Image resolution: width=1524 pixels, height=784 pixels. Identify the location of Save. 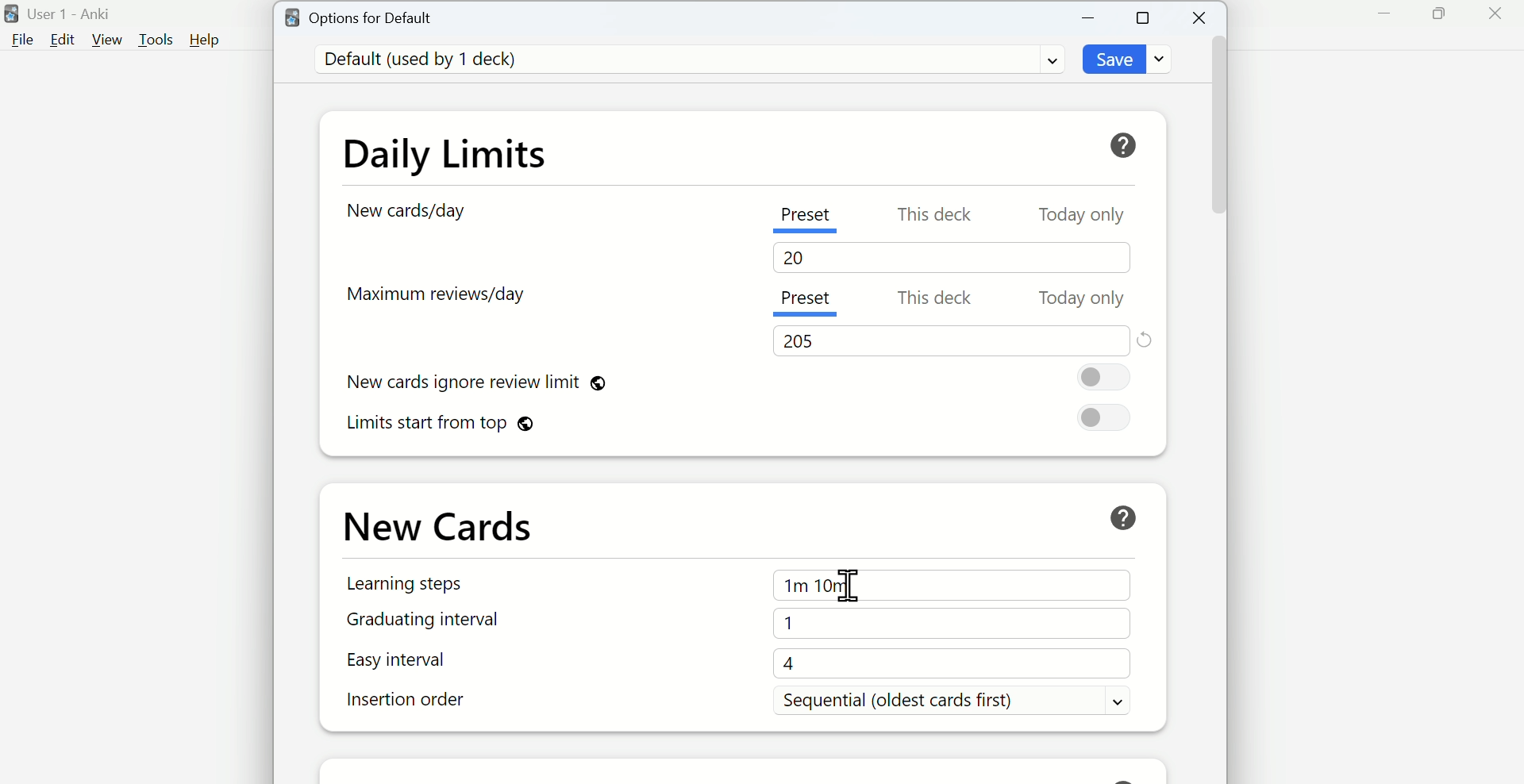
(1114, 60).